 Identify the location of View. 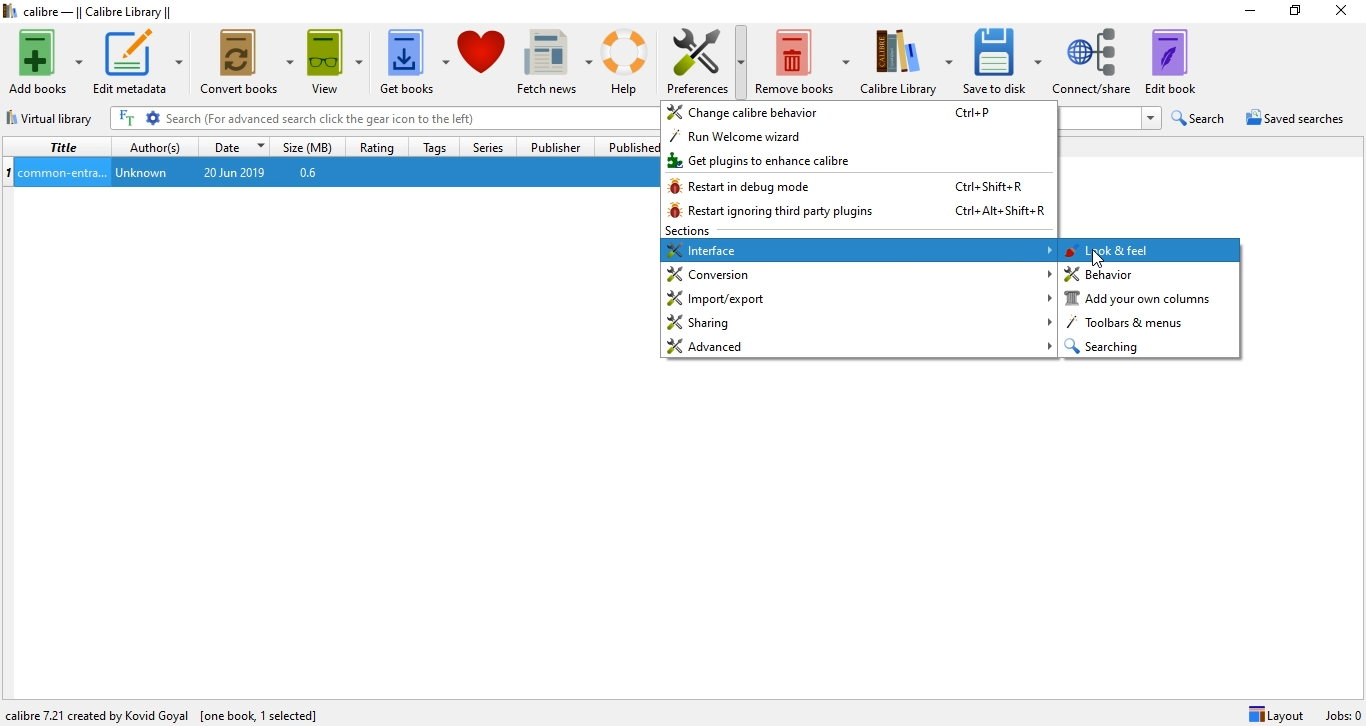
(332, 57).